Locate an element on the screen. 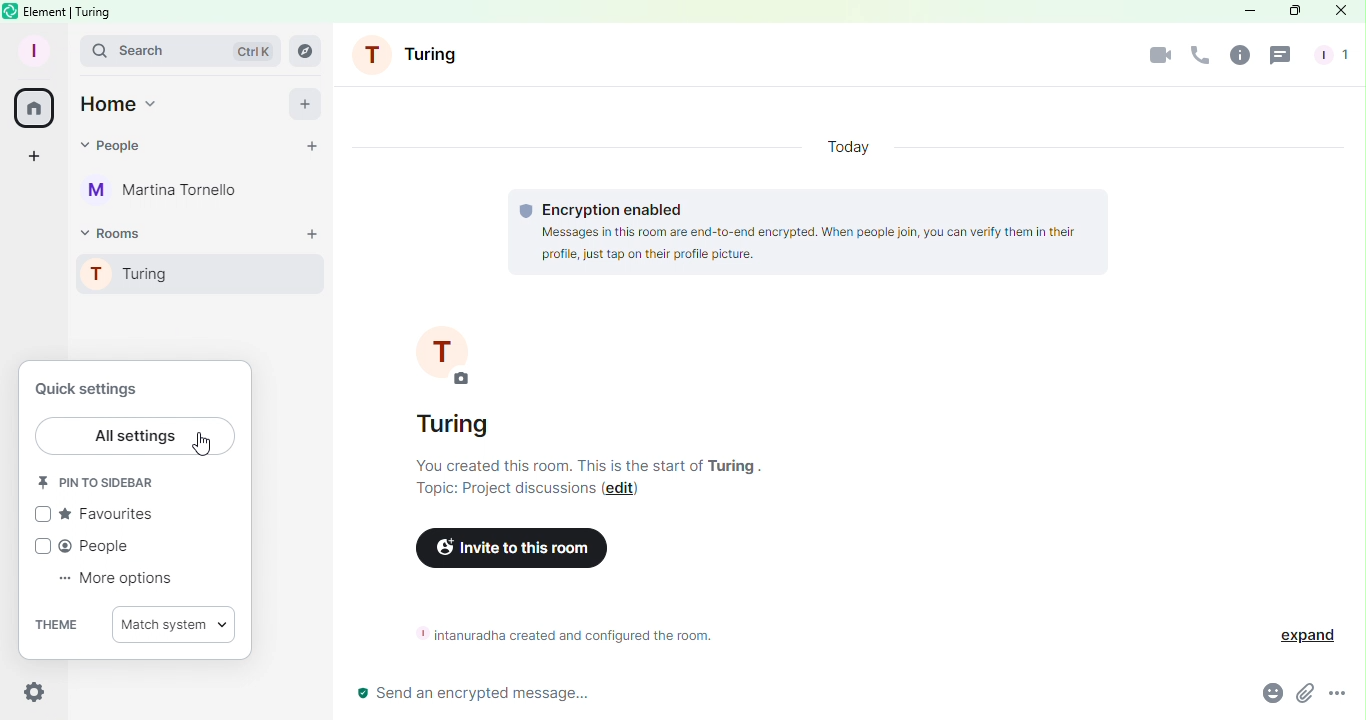  Threads is located at coordinates (1282, 57).